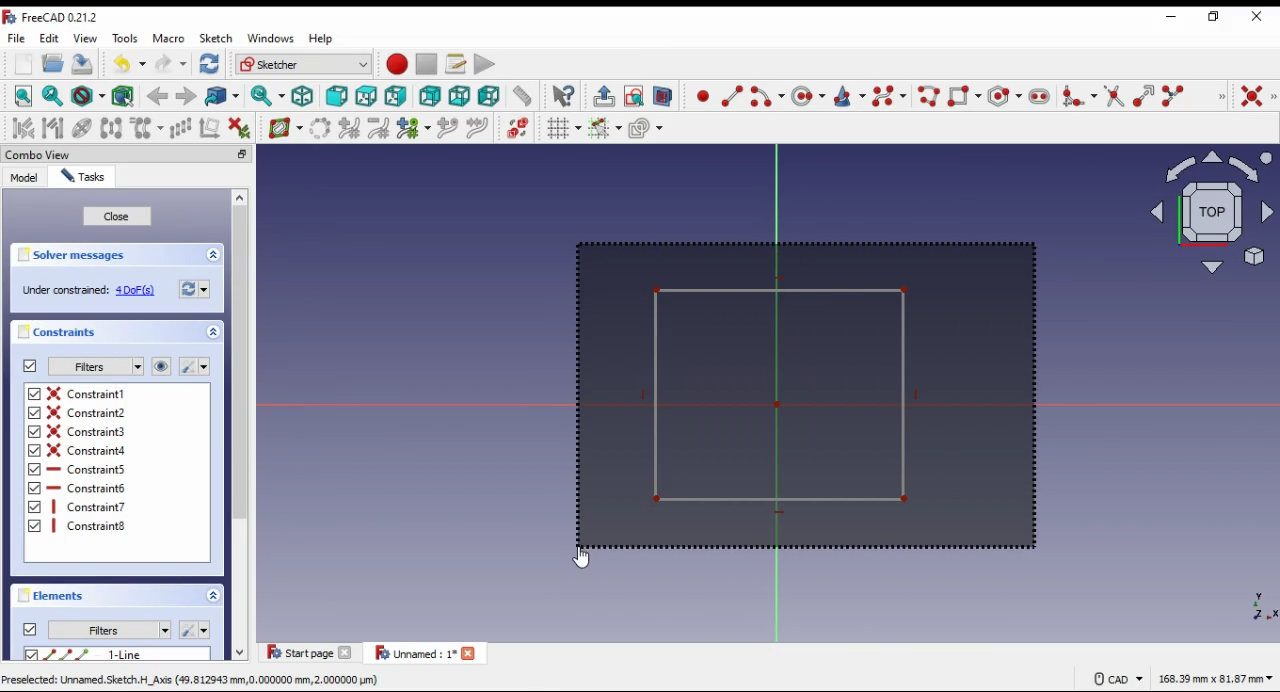 The width and height of the screenshot is (1280, 692). I want to click on canvas size, so click(1216, 677).